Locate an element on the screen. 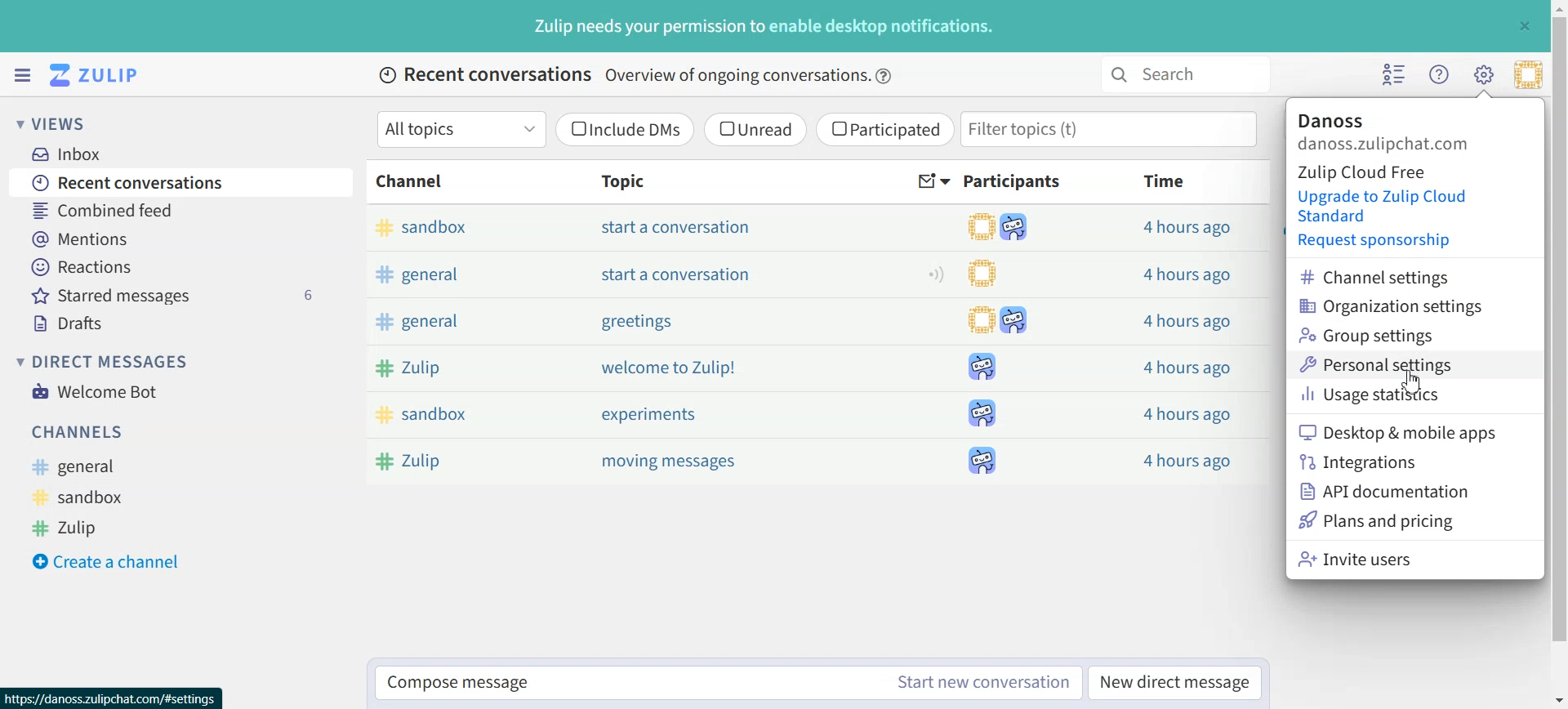 The width and height of the screenshot is (1568, 709). 4 hours ago is located at coordinates (1188, 228).